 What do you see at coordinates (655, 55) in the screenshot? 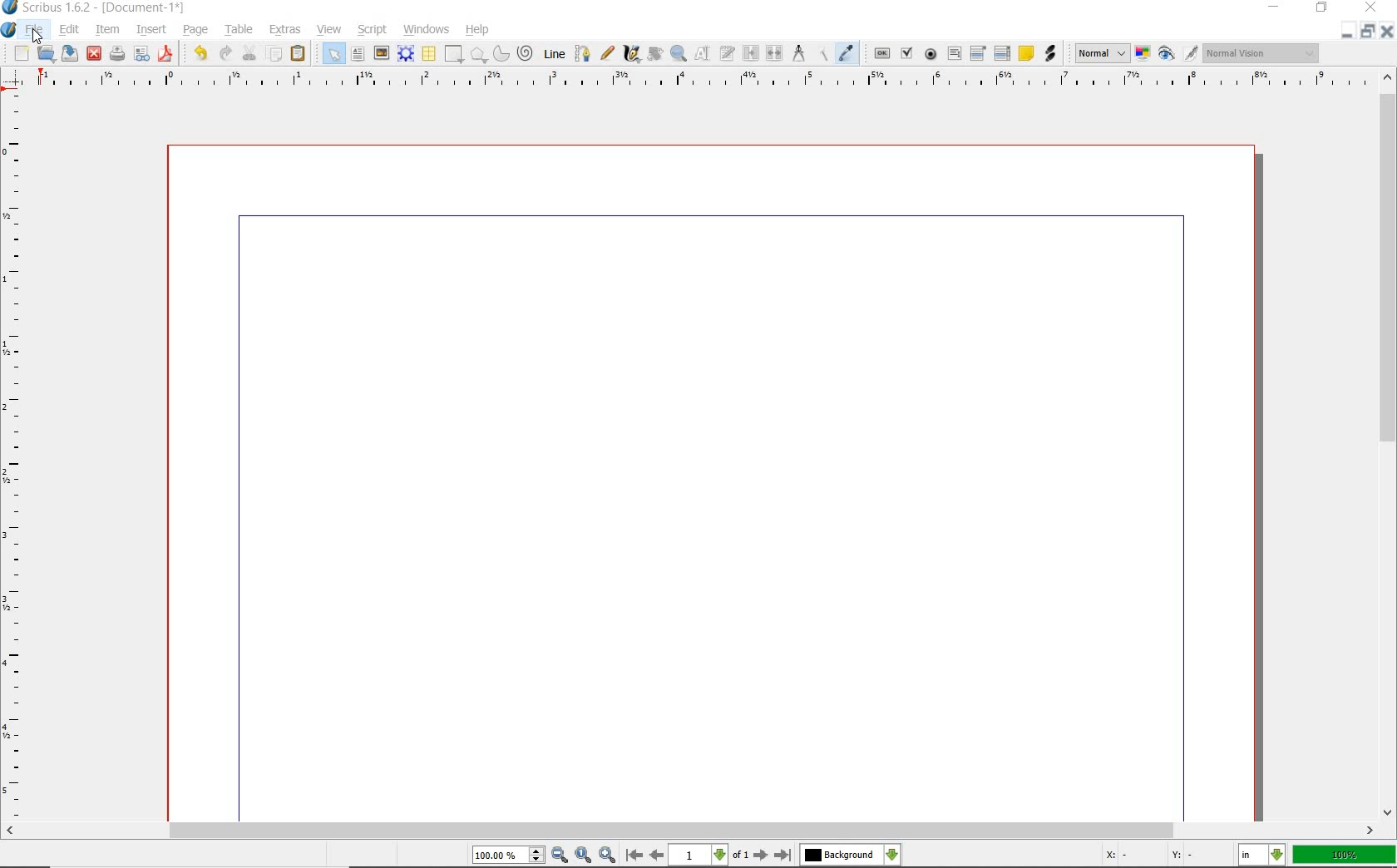
I see `rotate item` at bounding box center [655, 55].